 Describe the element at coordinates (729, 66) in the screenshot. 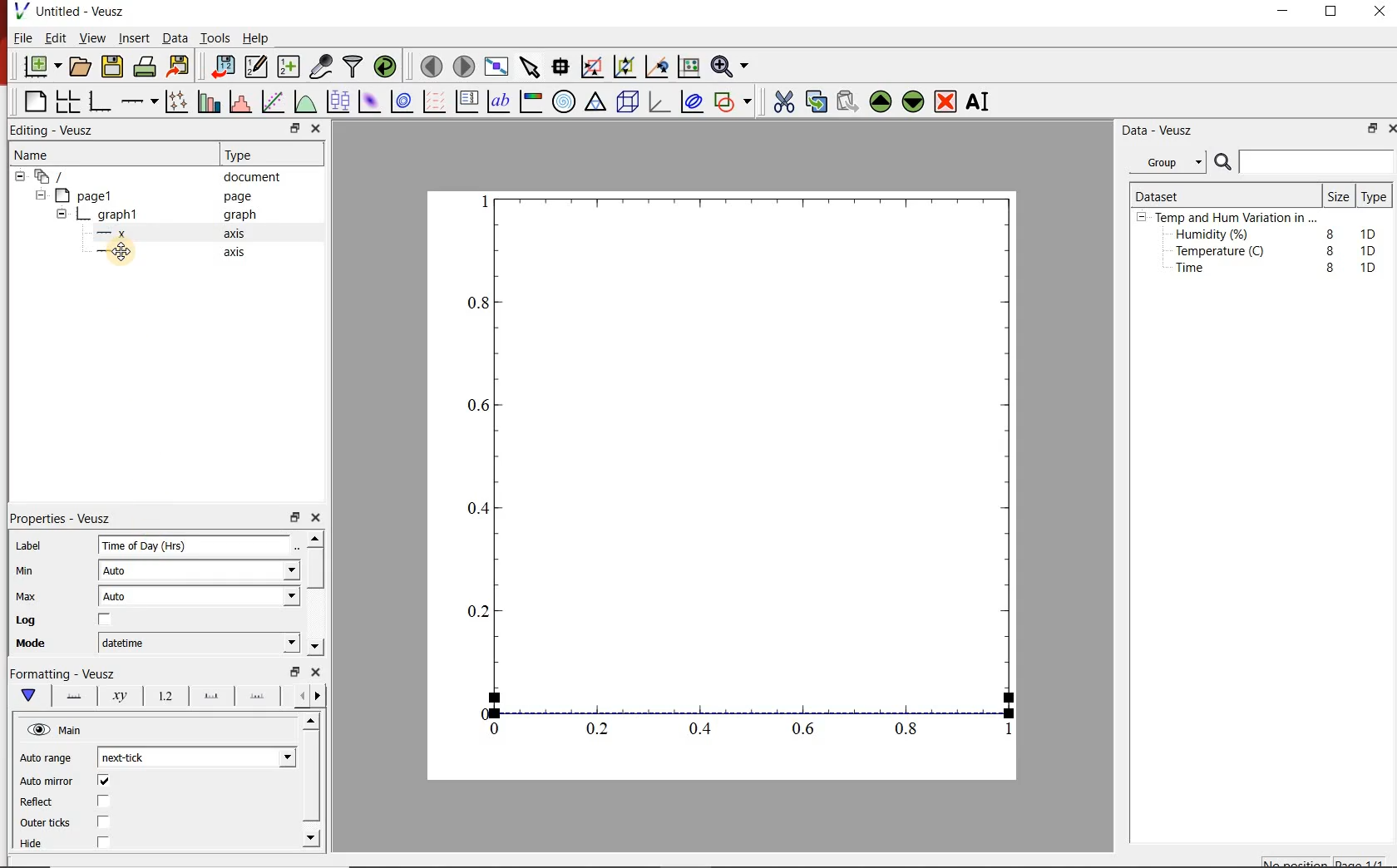

I see `Zoom functions menu` at that location.